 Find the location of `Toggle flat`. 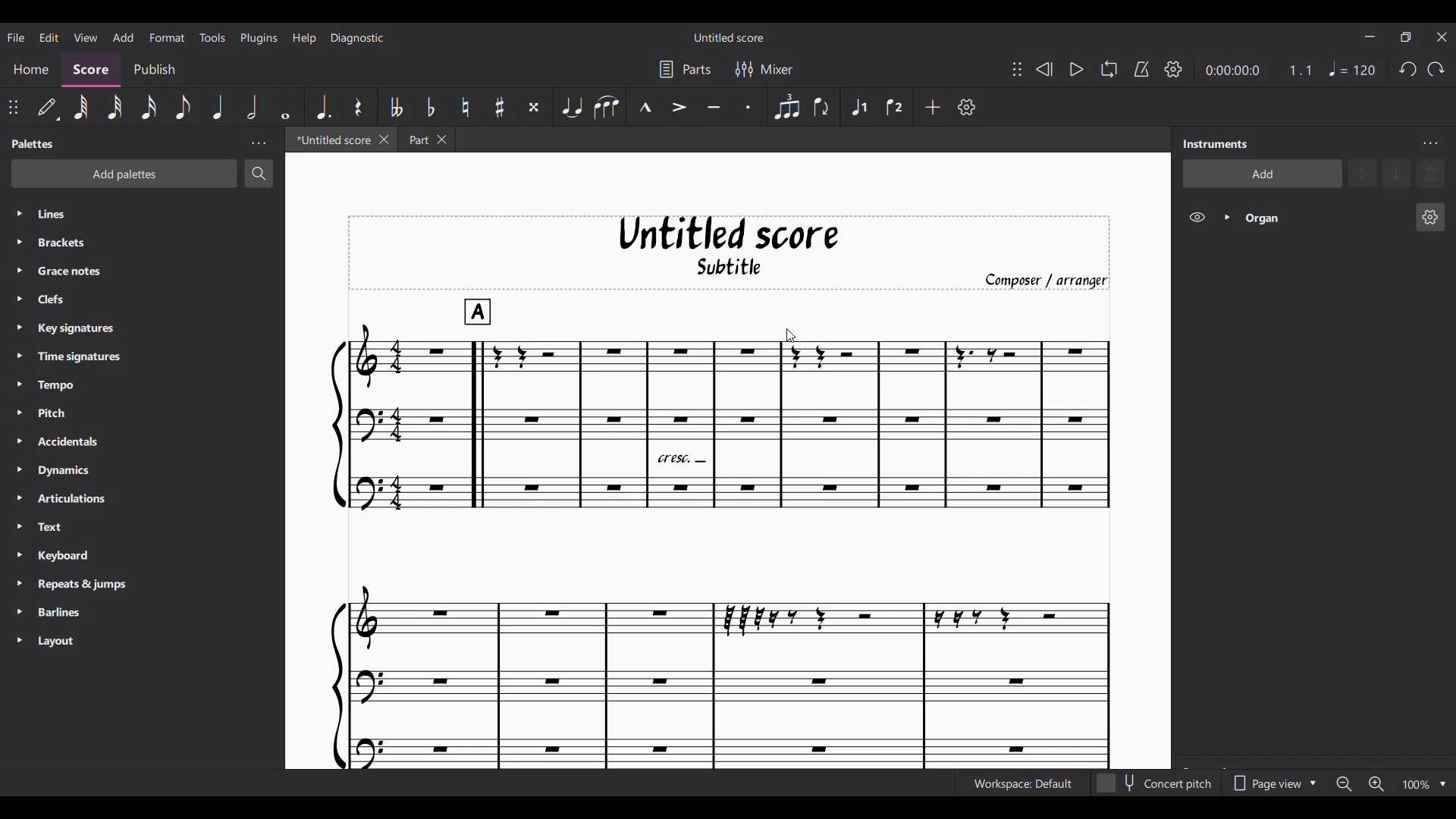

Toggle flat is located at coordinates (430, 107).